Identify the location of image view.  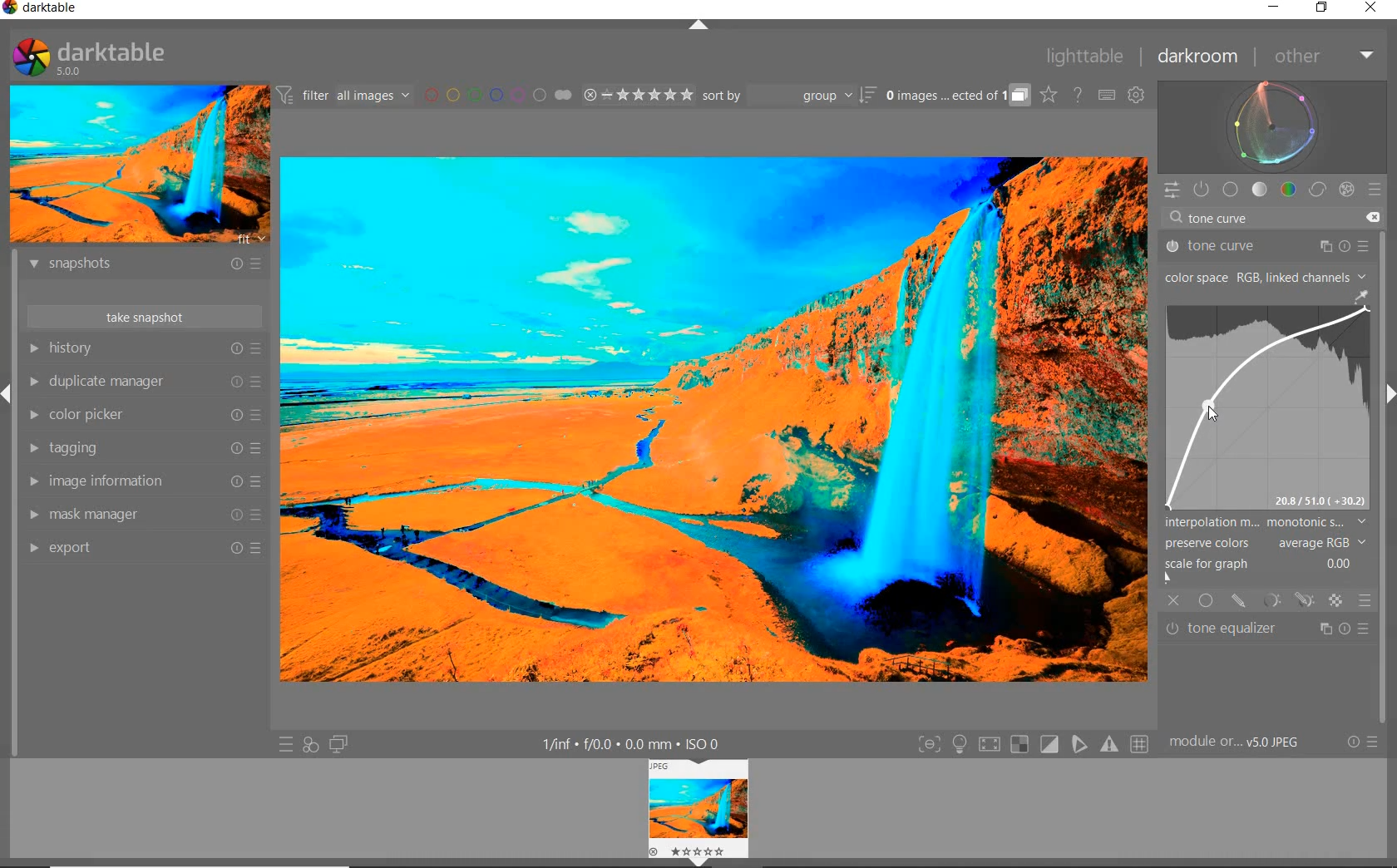
(693, 806).